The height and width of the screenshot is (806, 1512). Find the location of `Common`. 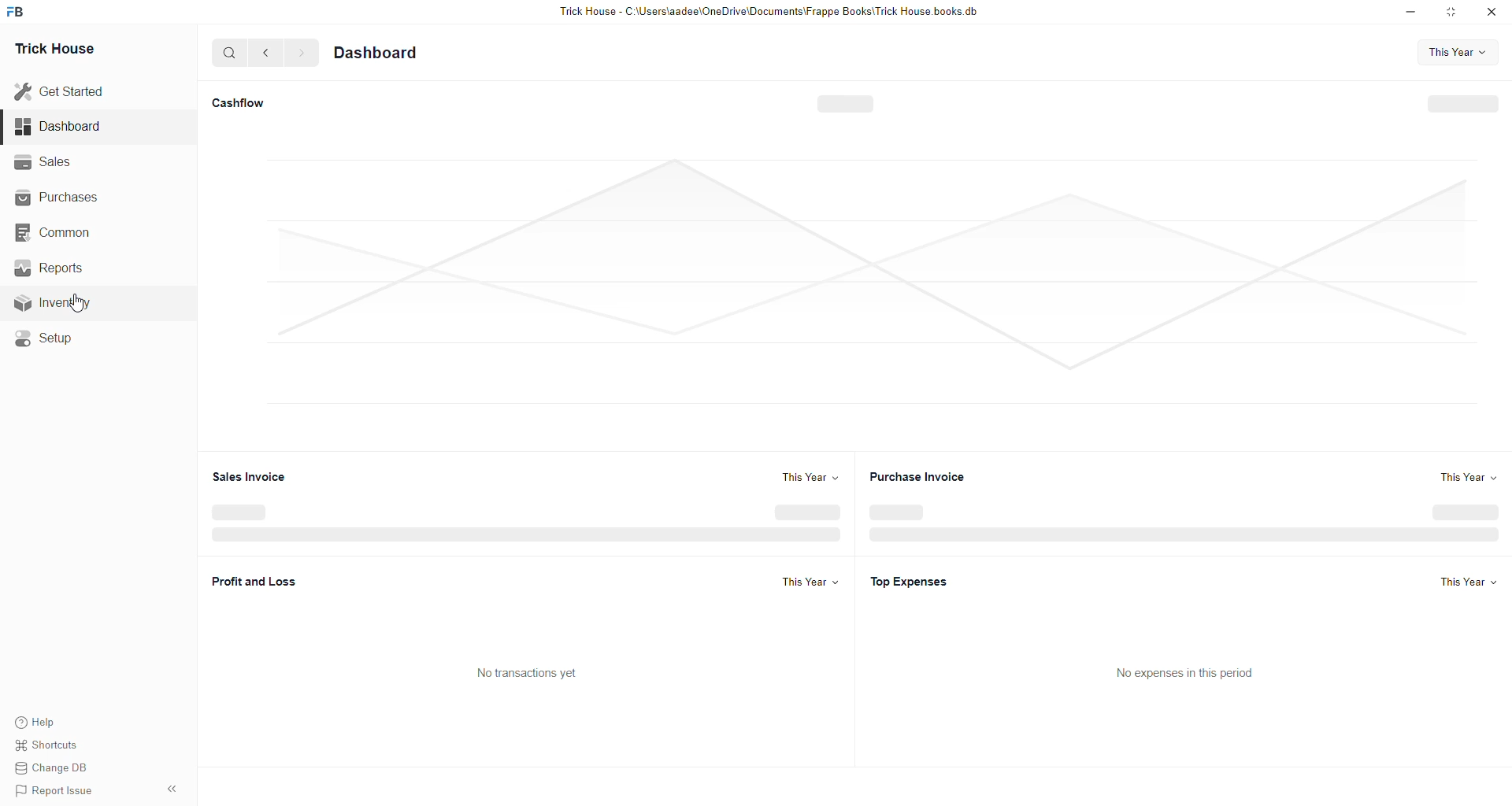

Common is located at coordinates (68, 235).